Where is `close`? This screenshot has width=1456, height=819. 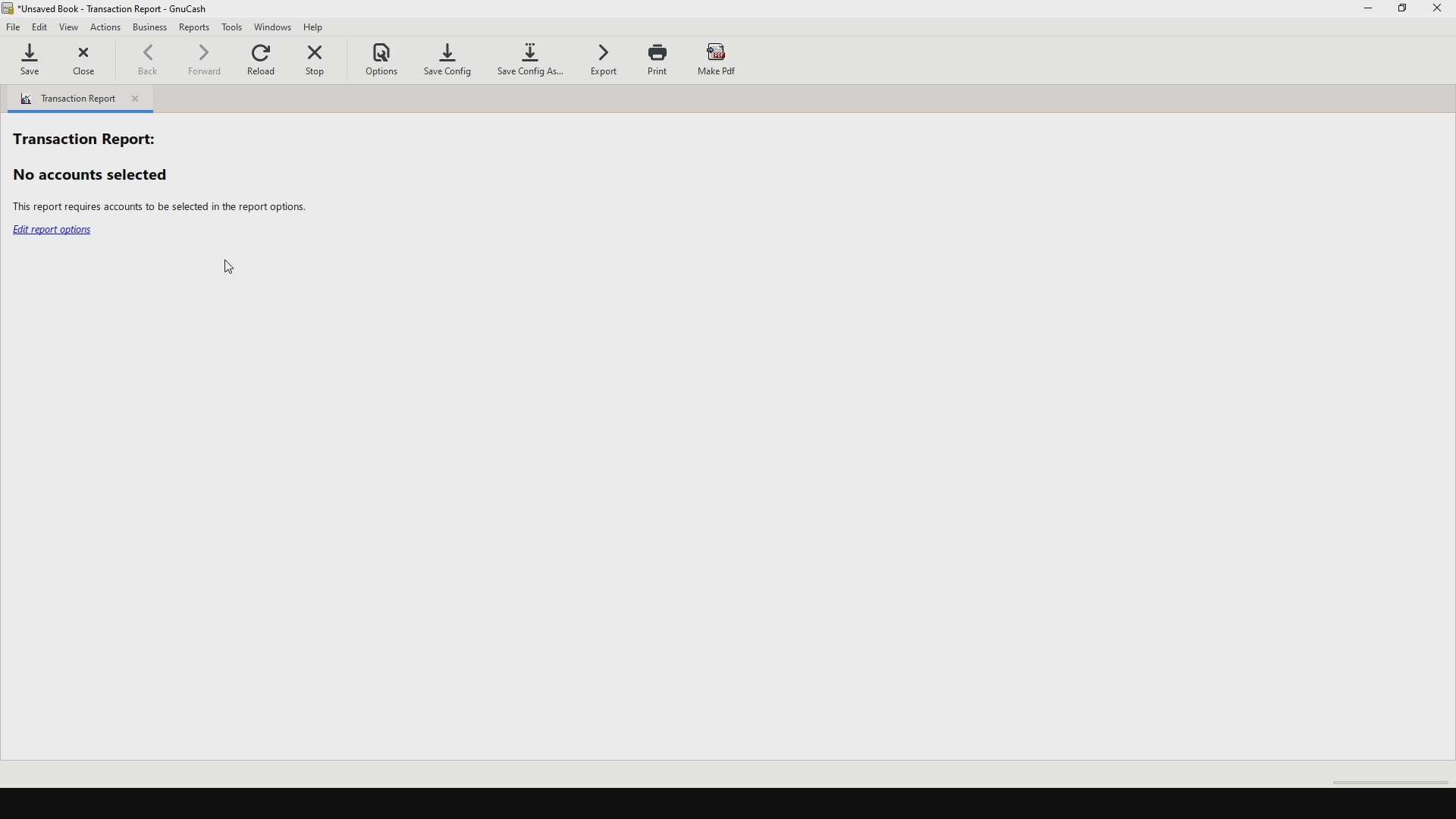
close is located at coordinates (1439, 12).